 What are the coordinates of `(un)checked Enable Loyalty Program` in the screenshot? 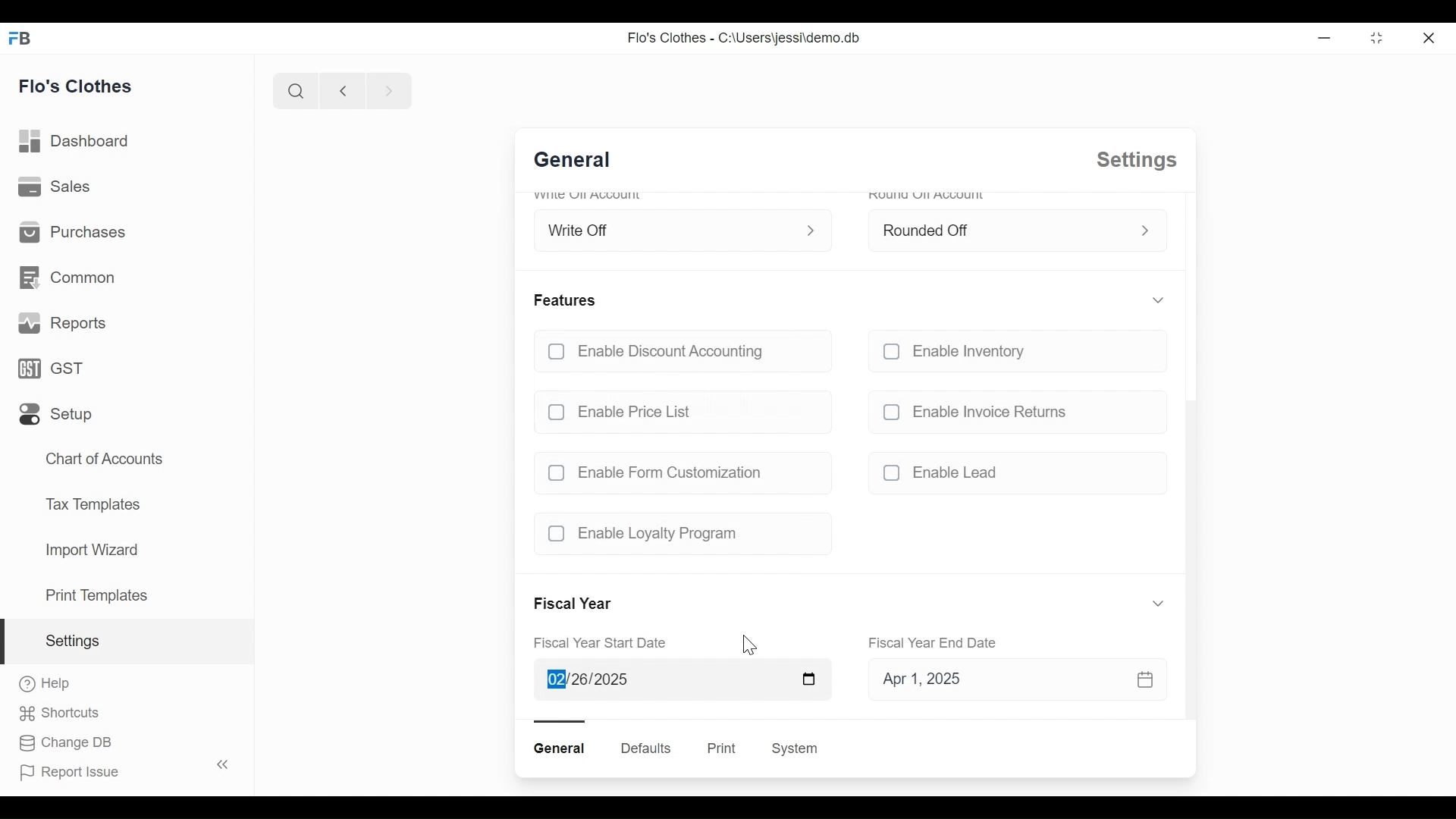 It's located at (676, 534).